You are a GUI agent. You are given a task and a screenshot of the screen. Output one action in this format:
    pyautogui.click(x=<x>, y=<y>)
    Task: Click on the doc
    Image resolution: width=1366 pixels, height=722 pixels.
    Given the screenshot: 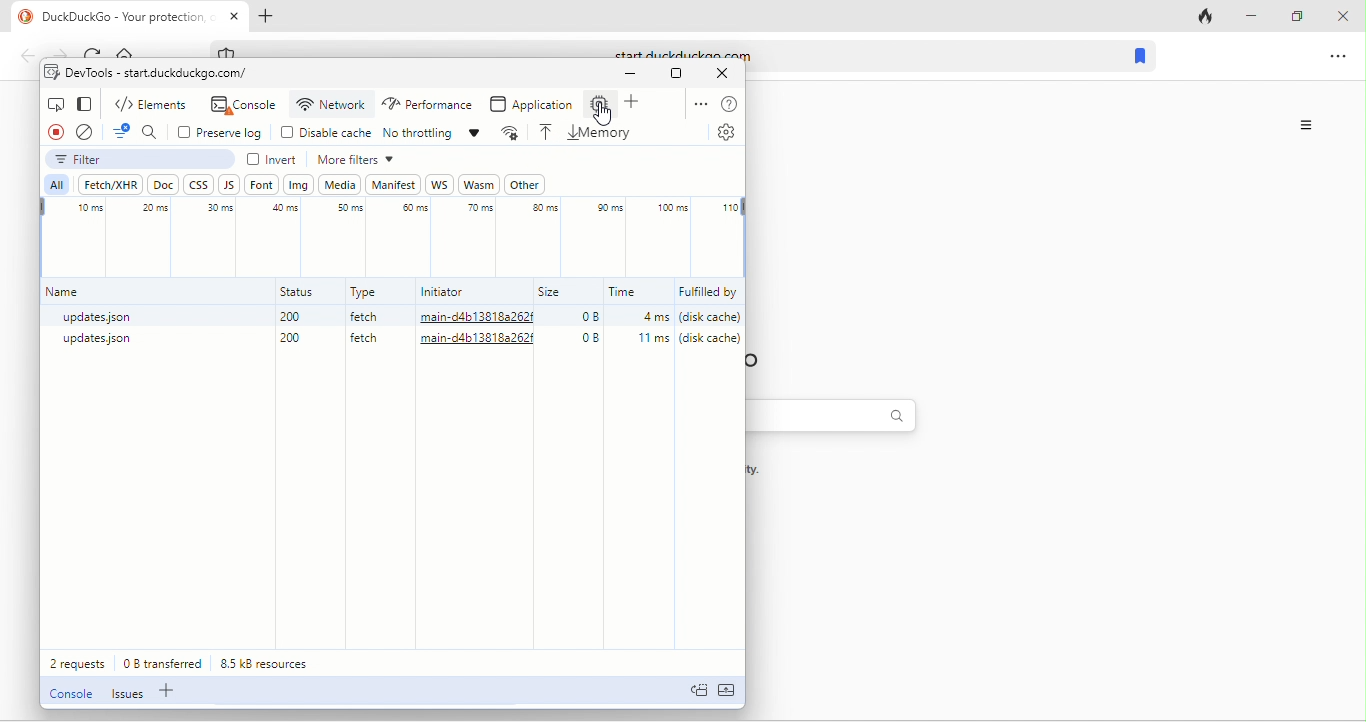 What is the action you would take?
    pyautogui.click(x=167, y=184)
    